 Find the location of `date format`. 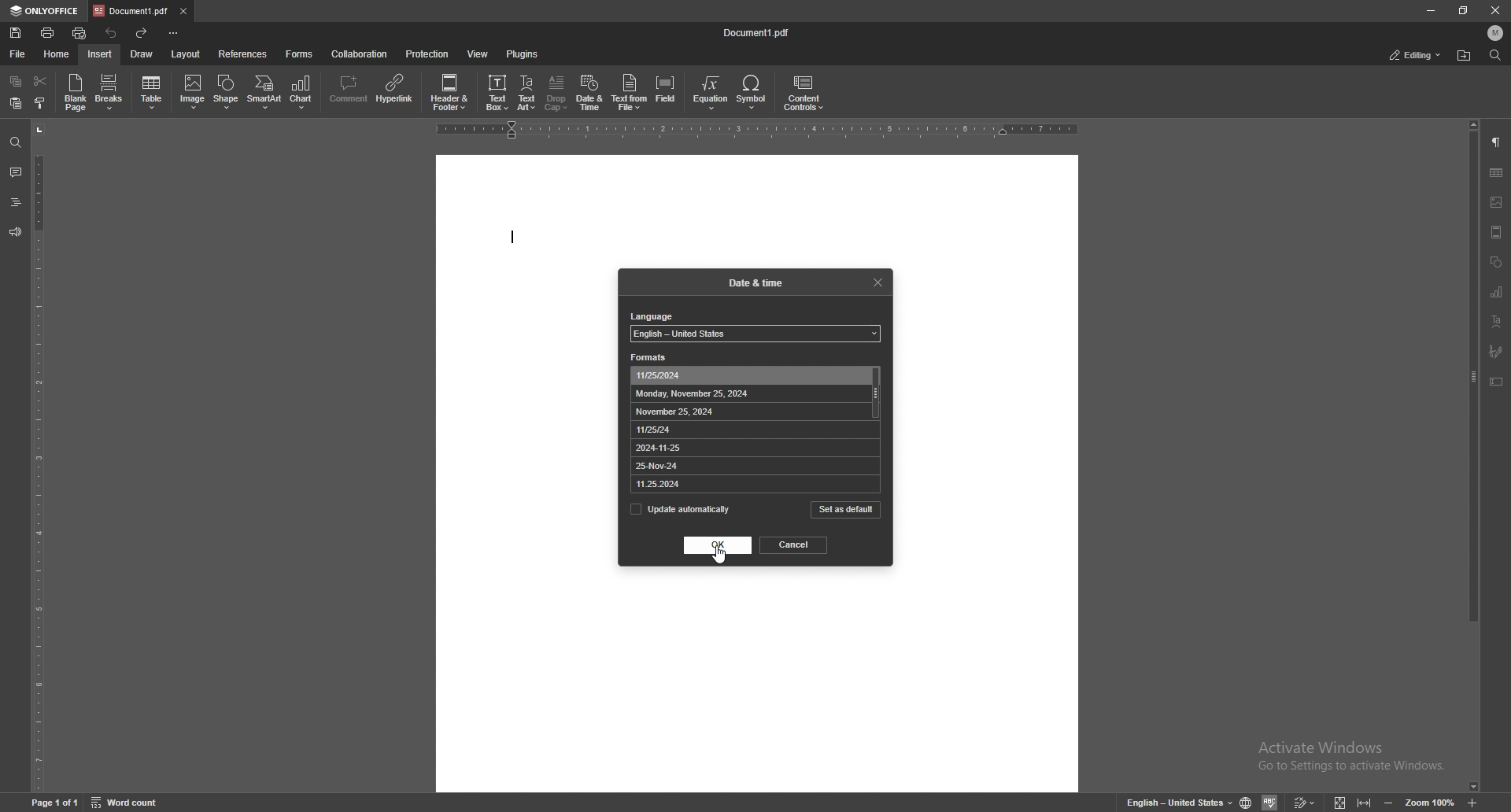

date format is located at coordinates (685, 412).